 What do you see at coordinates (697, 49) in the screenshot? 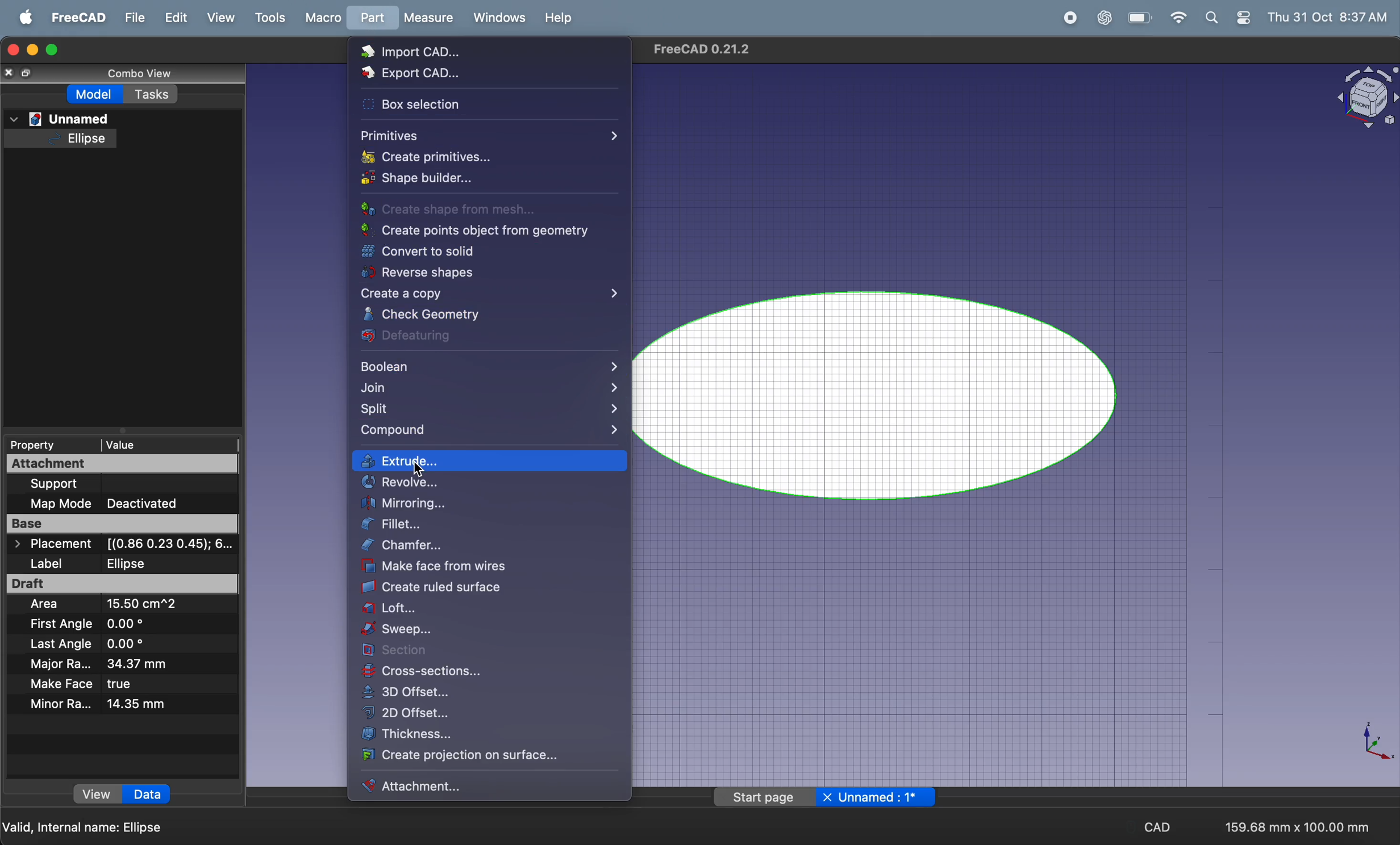
I see `page title` at bounding box center [697, 49].